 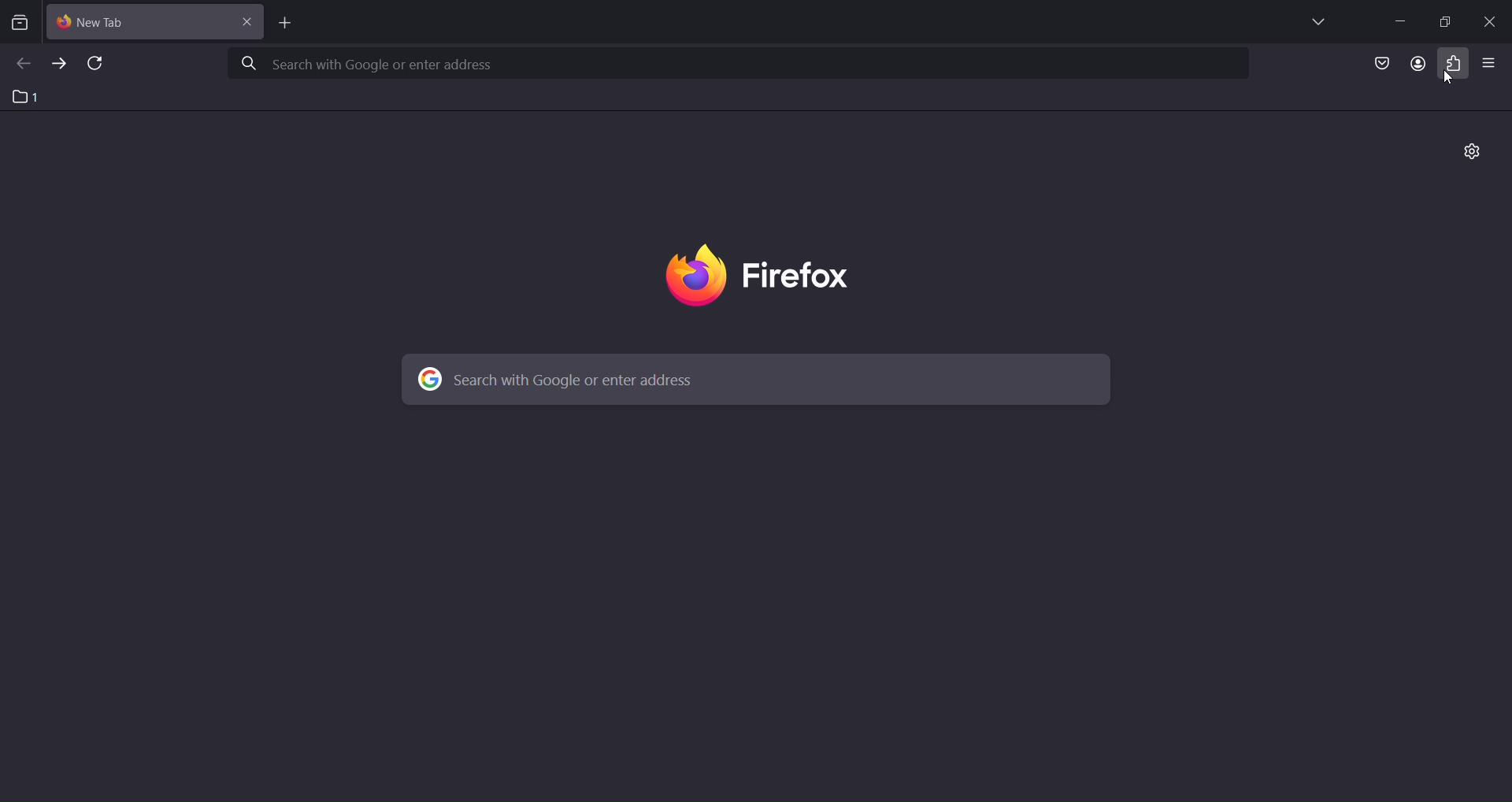 I want to click on reload page, so click(x=100, y=64).